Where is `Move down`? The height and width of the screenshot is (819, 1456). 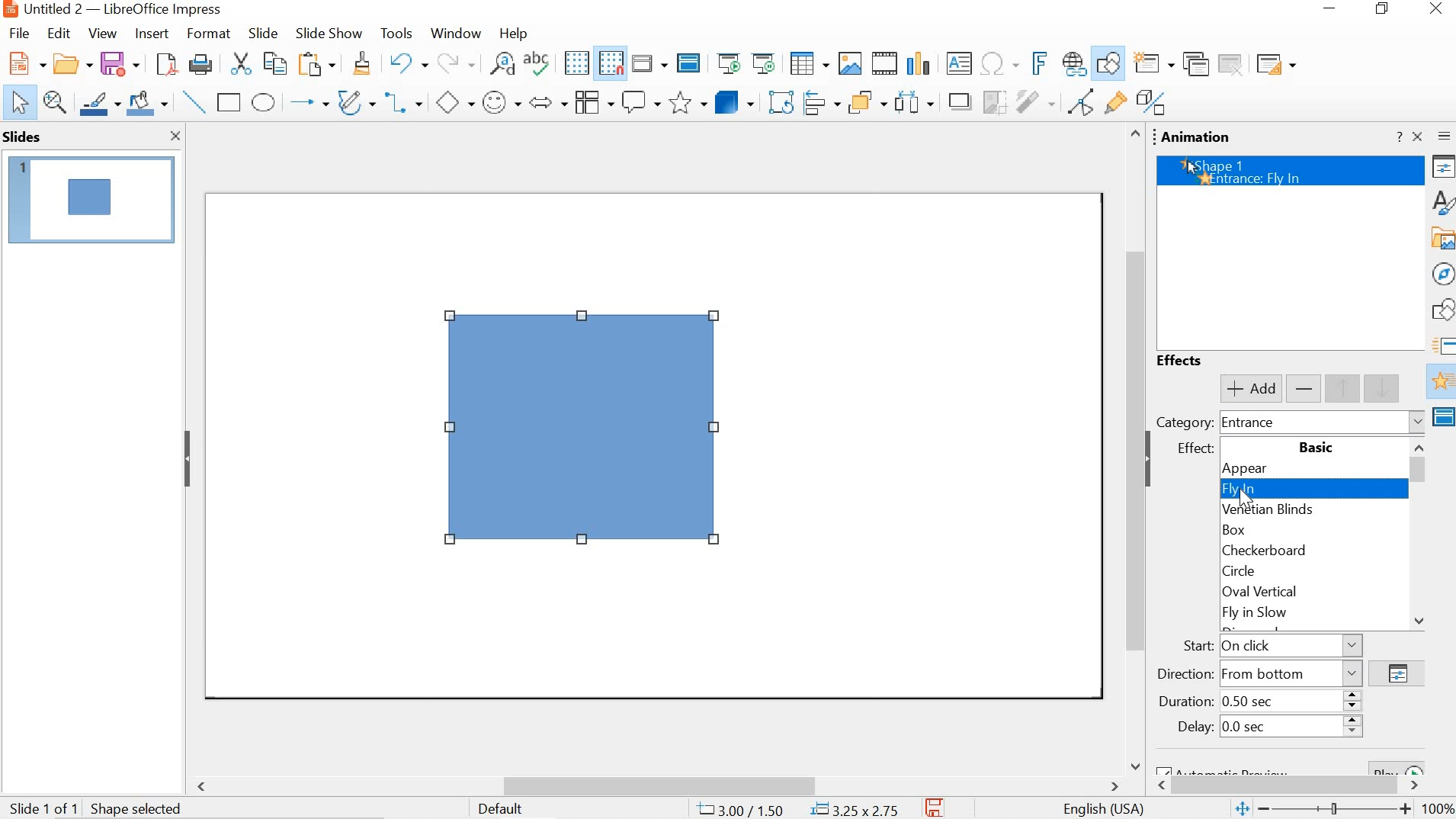
Move down is located at coordinates (1419, 620).